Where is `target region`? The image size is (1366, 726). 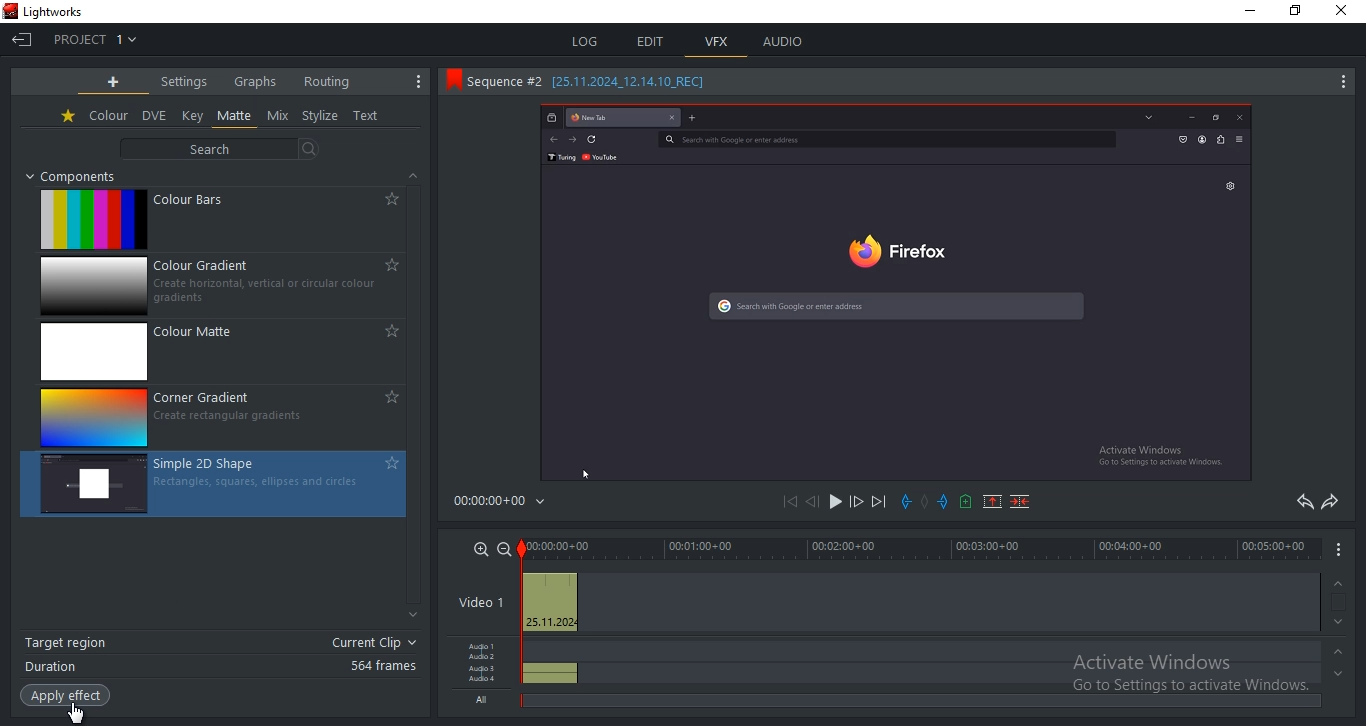 target region is located at coordinates (219, 644).